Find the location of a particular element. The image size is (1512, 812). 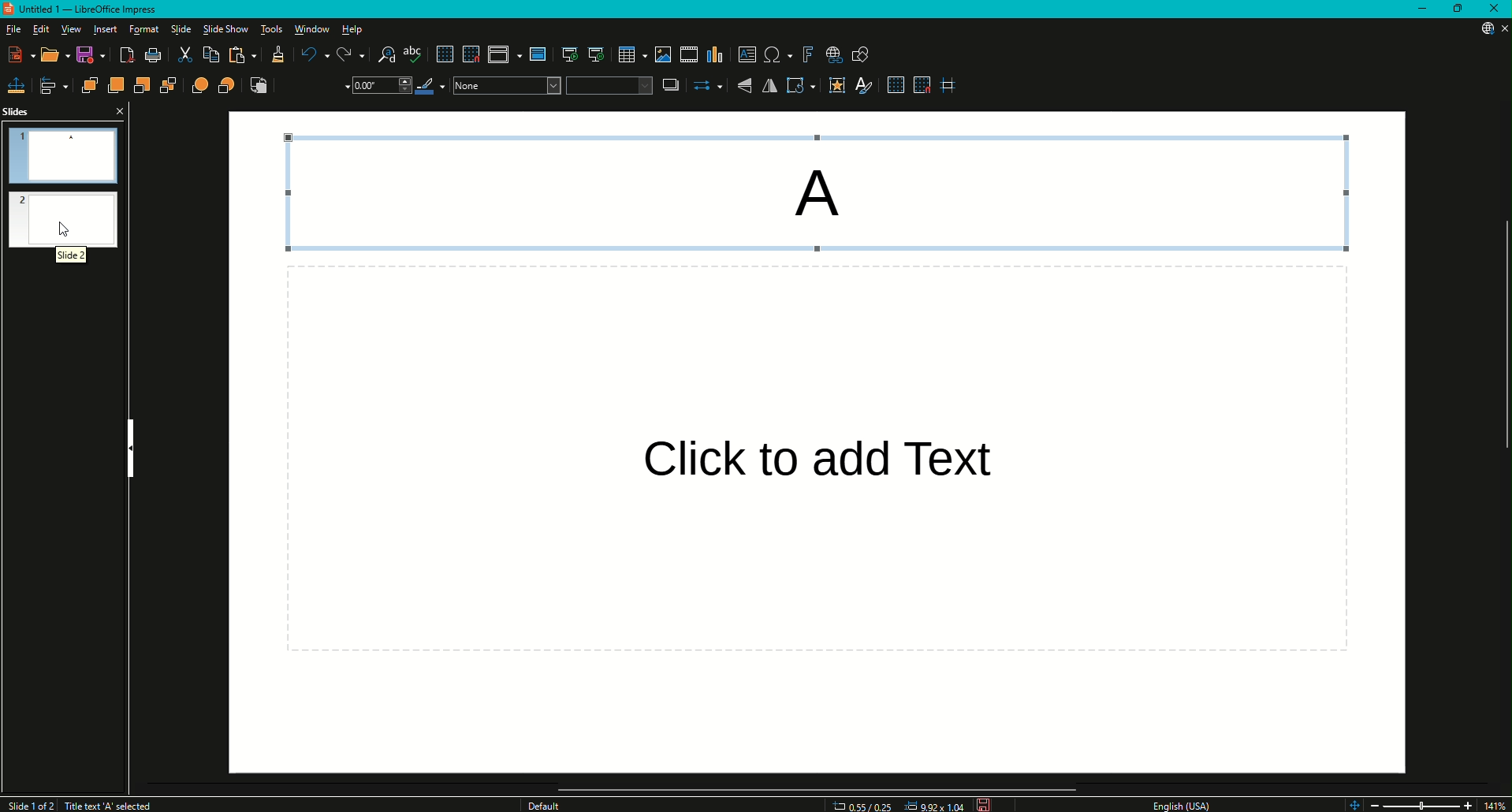

Fill Colour is located at coordinates (607, 85).